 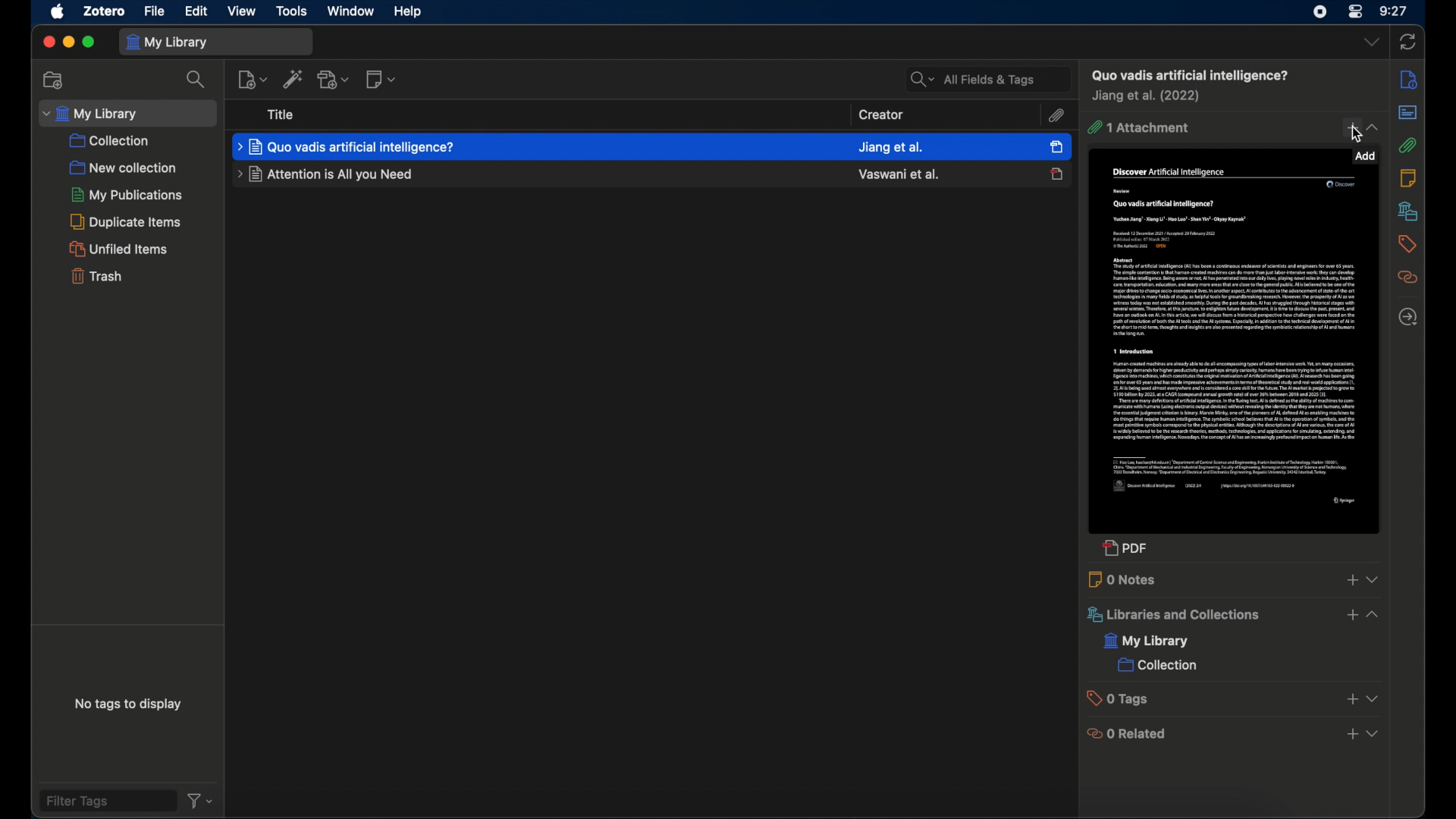 What do you see at coordinates (1349, 129) in the screenshot?
I see `add` at bounding box center [1349, 129].